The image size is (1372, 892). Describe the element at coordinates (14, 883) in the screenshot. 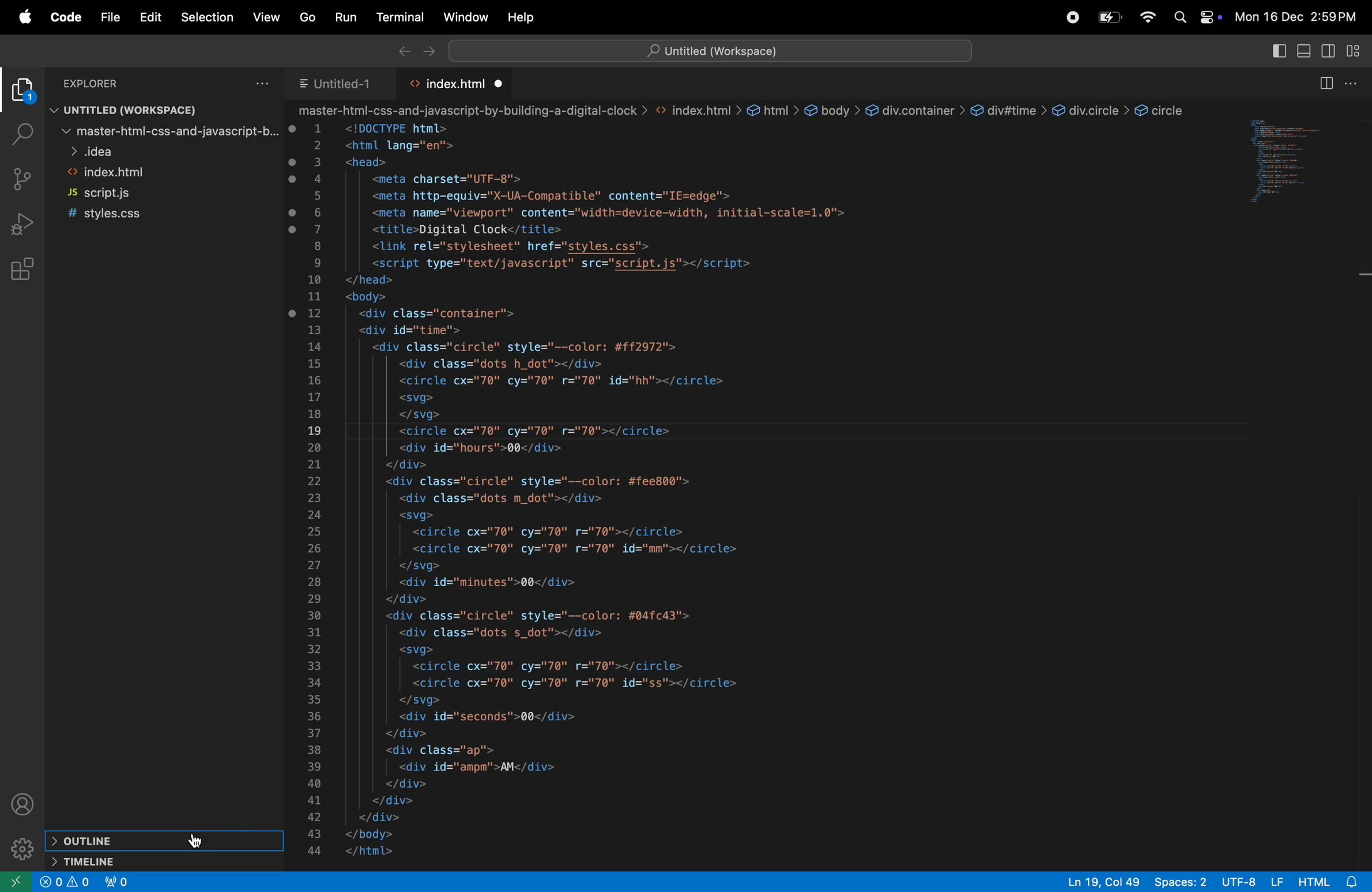

I see `open remote window` at that location.